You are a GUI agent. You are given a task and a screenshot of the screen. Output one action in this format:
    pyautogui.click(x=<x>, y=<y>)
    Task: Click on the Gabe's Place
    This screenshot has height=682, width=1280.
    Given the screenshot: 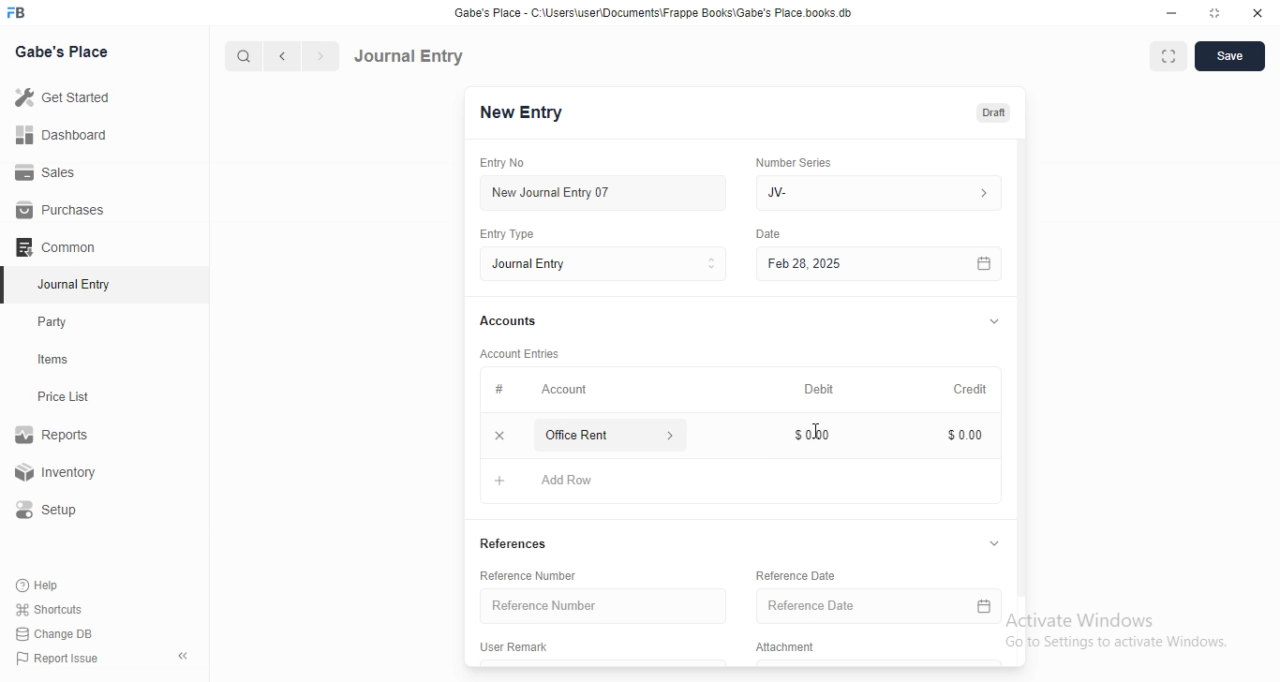 What is the action you would take?
    pyautogui.click(x=64, y=51)
    